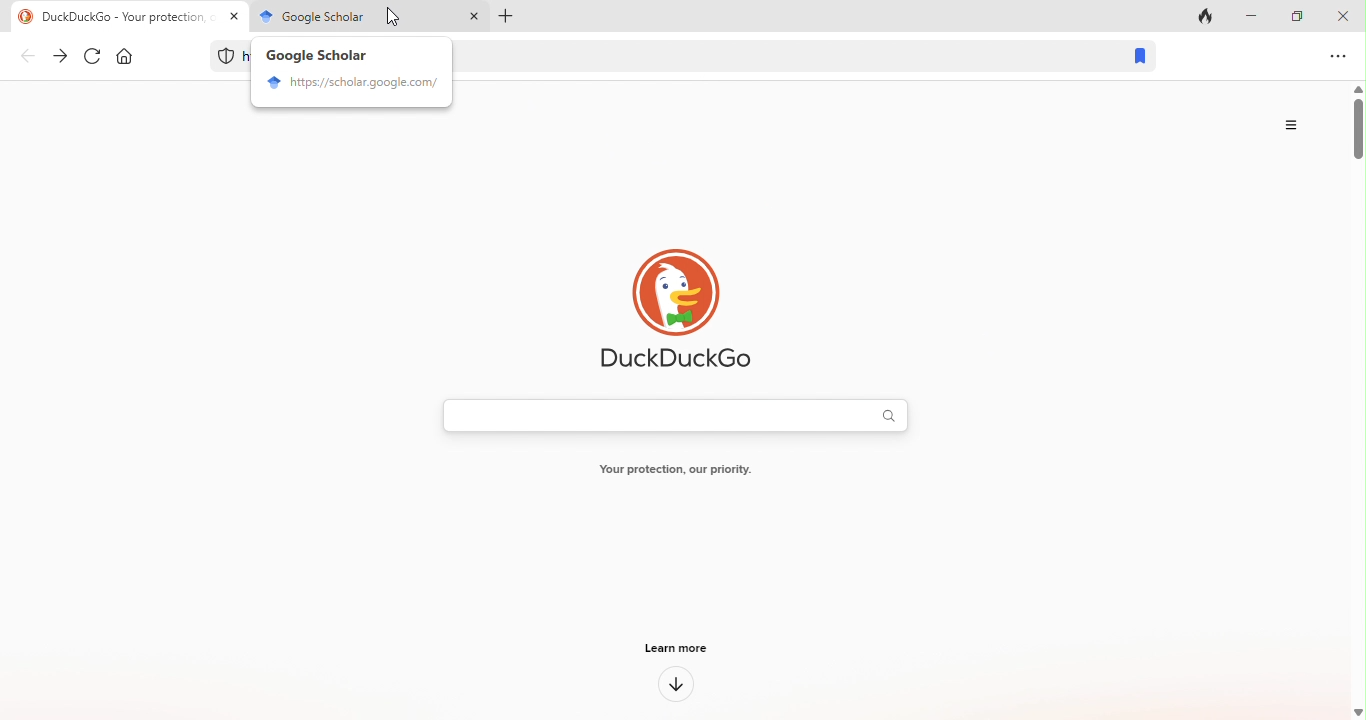  Describe the element at coordinates (1295, 125) in the screenshot. I see `option` at that location.